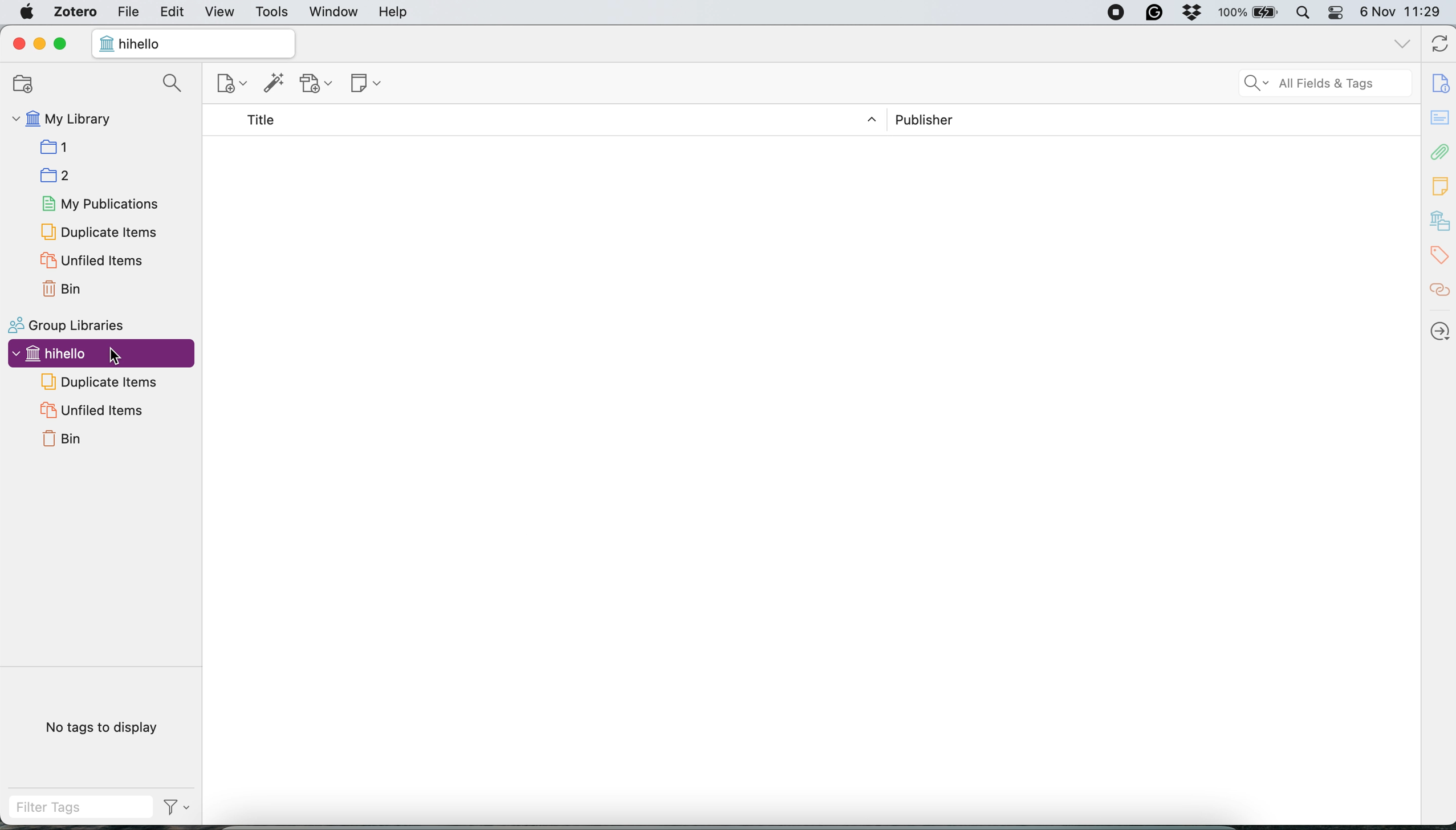 This screenshot has width=1456, height=830. What do you see at coordinates (273, 13) in the screenshot?
I see `tools` at bounding box center [273, 13].